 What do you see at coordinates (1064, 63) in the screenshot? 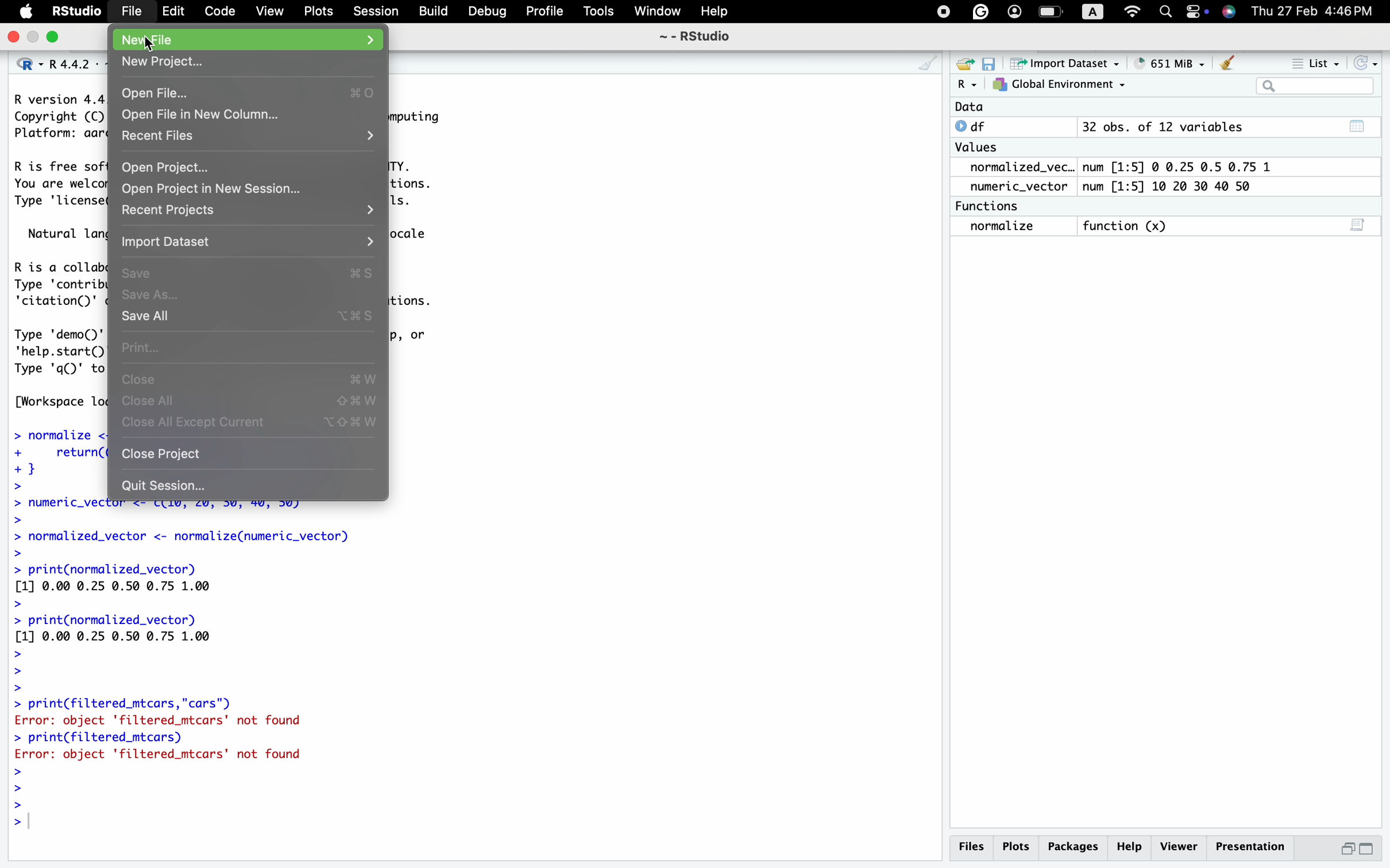
I see `~ Import Dataset ` at bounding box center [1064, 63].